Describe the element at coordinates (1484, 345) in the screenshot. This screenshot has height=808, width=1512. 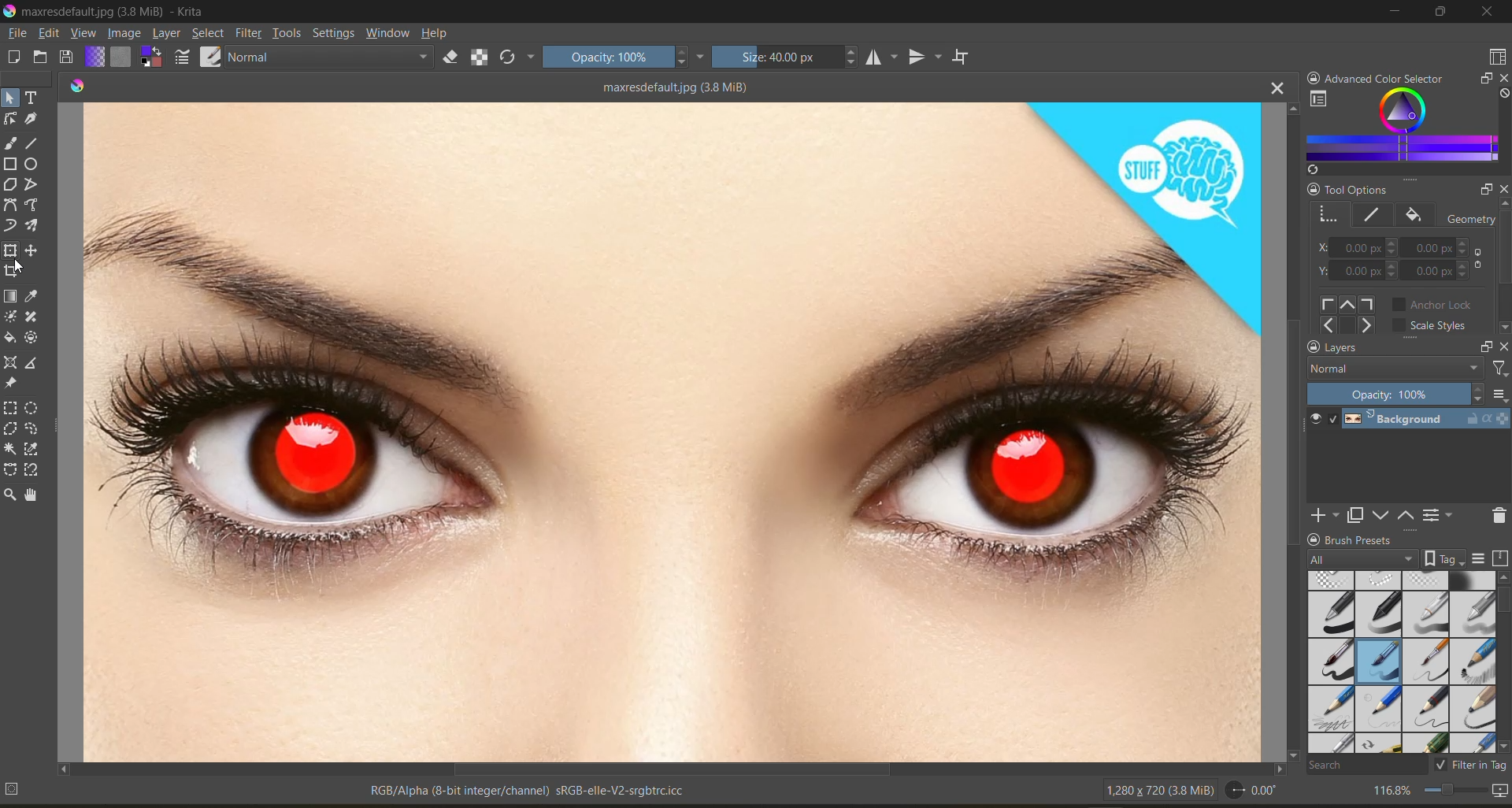
I see `float docker` at that location.